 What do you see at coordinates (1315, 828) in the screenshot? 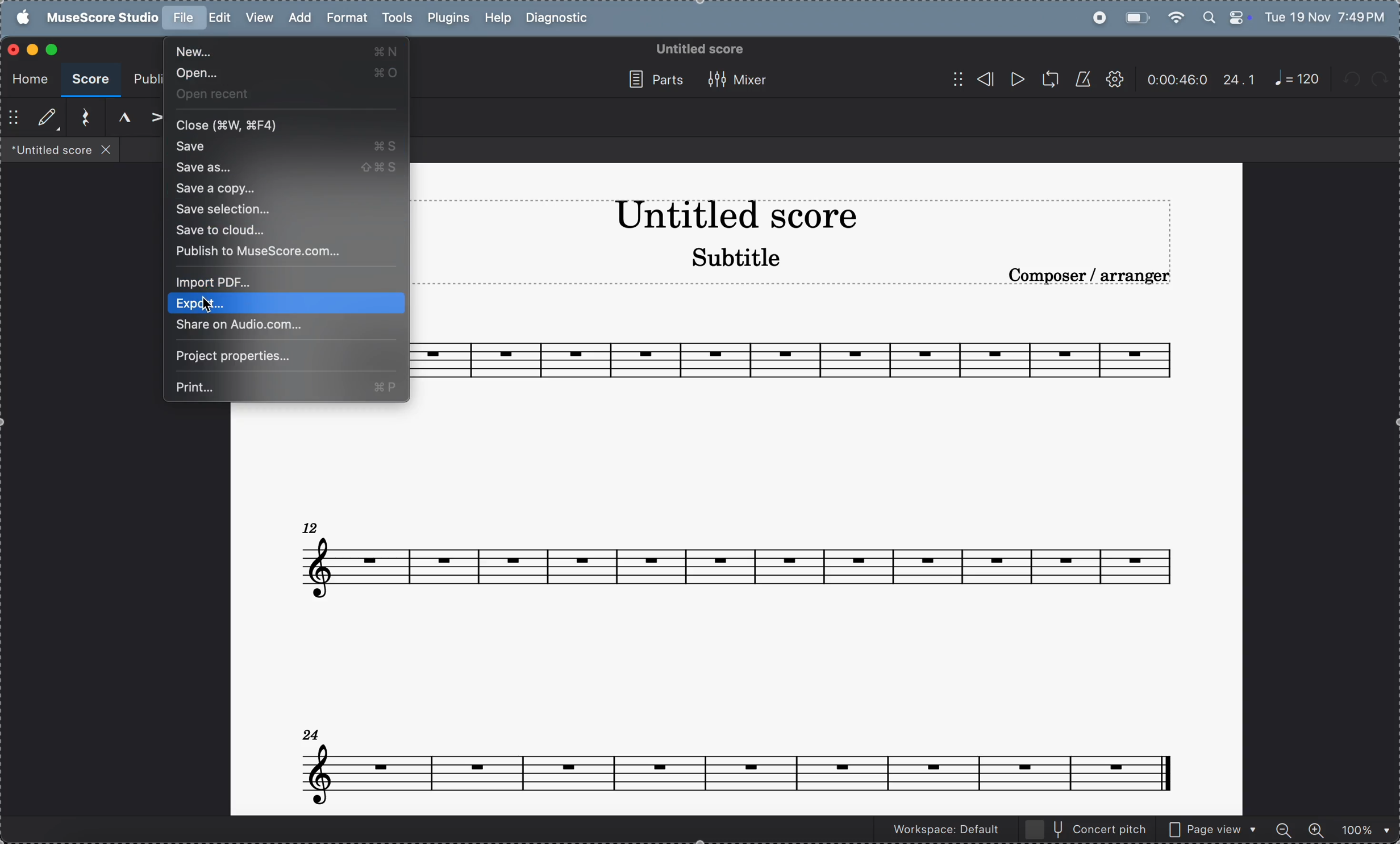
I see `zoom in` at bounding box center [1315, 828].